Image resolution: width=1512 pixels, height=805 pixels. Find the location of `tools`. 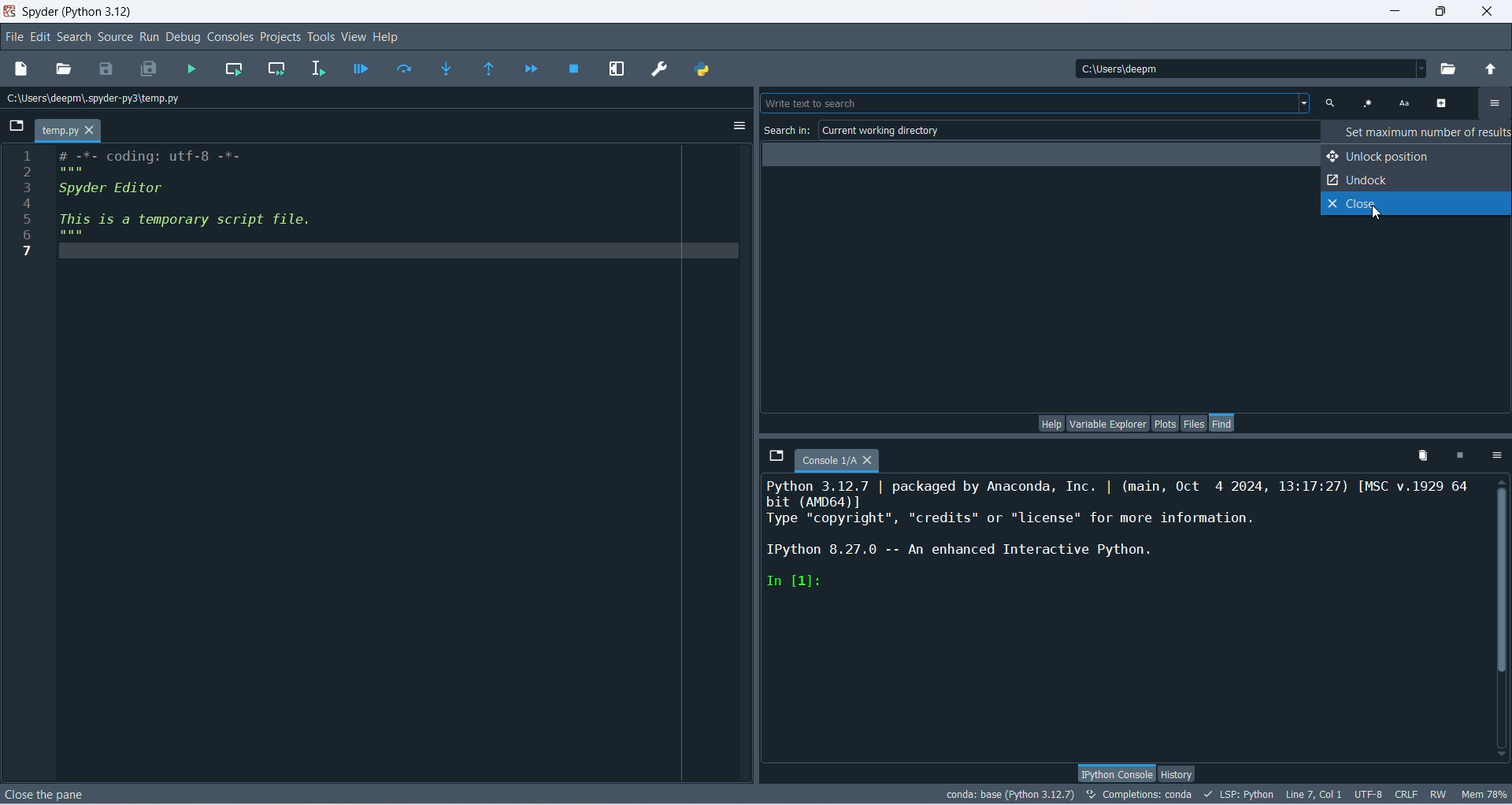

tools is located at coordinates (321, 38).